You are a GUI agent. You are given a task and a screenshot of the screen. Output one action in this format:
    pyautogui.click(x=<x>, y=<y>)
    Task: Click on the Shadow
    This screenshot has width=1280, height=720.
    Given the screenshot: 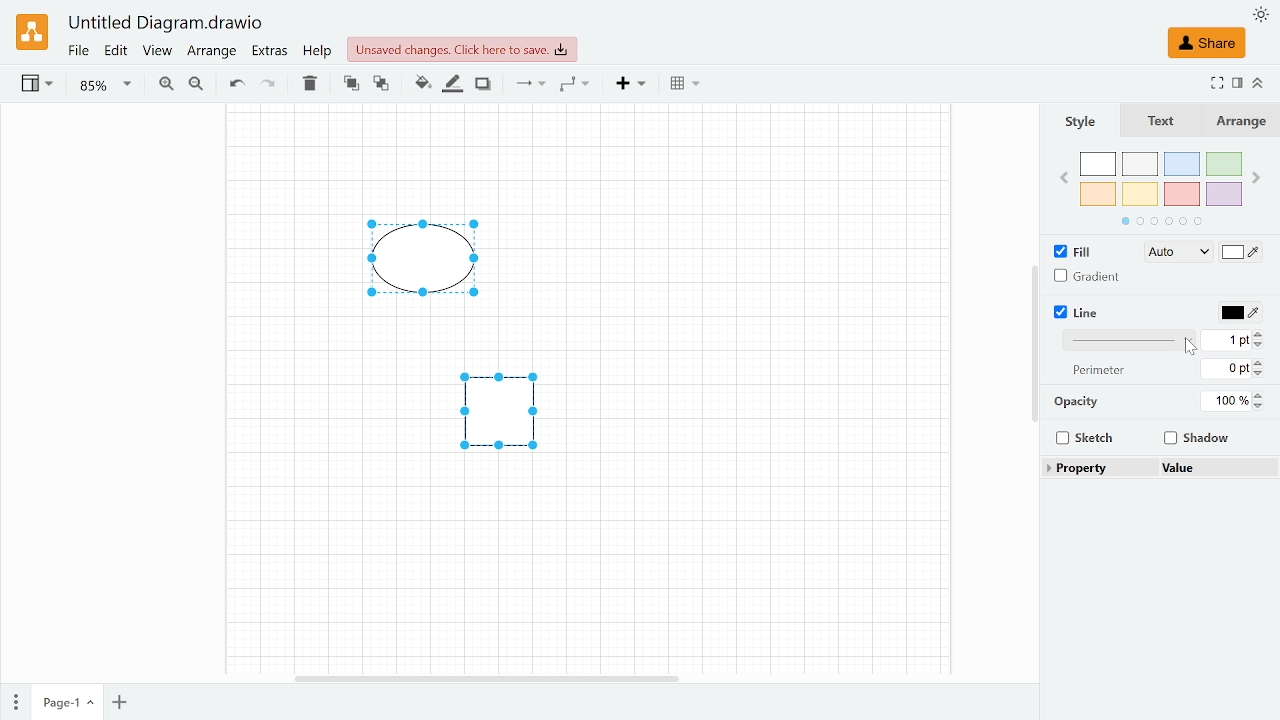 What is the action you would take?
    pyautogui.click(x=483, y=85)
    